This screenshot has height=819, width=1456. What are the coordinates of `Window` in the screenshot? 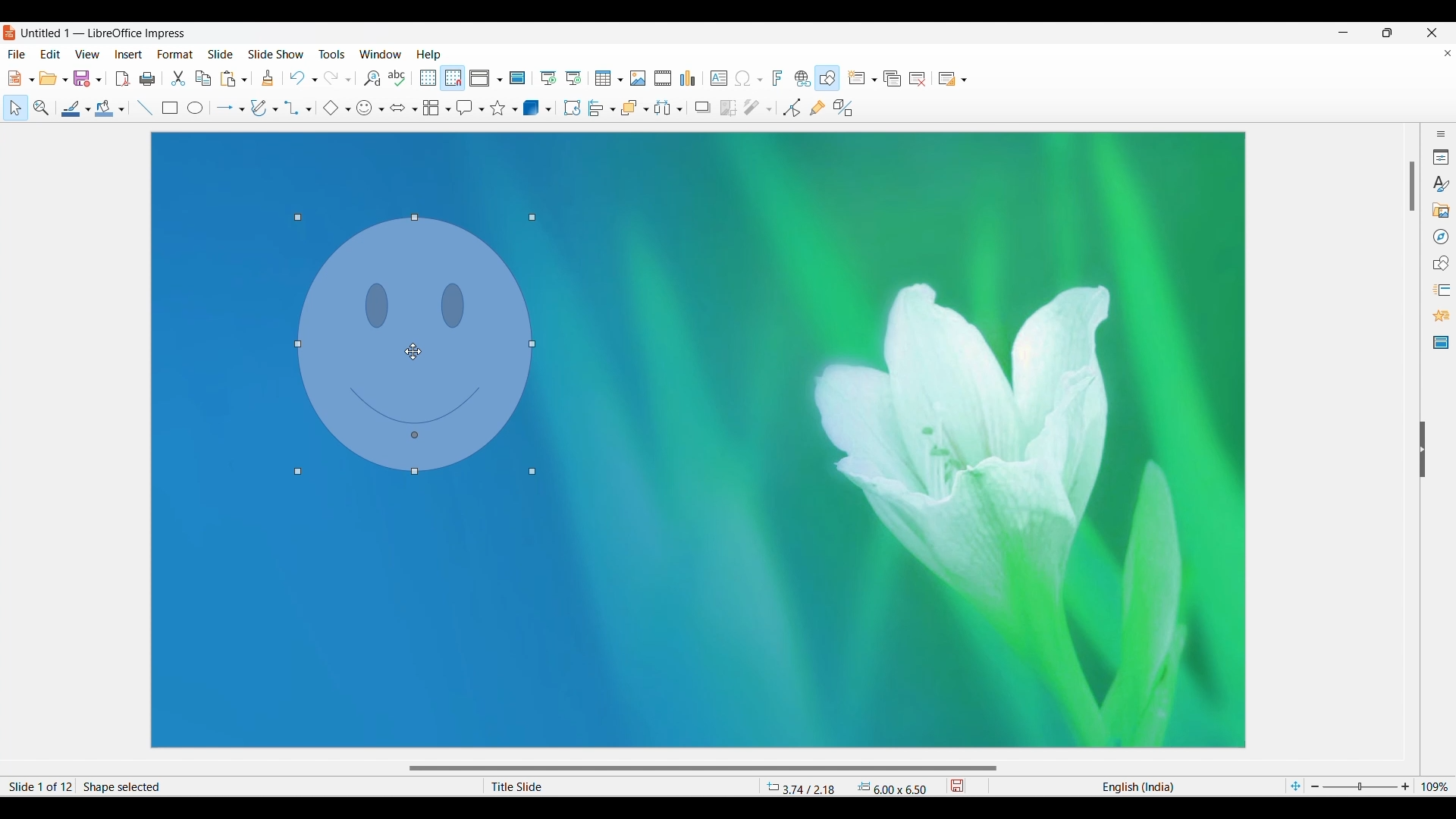 It's located at (381, 54).